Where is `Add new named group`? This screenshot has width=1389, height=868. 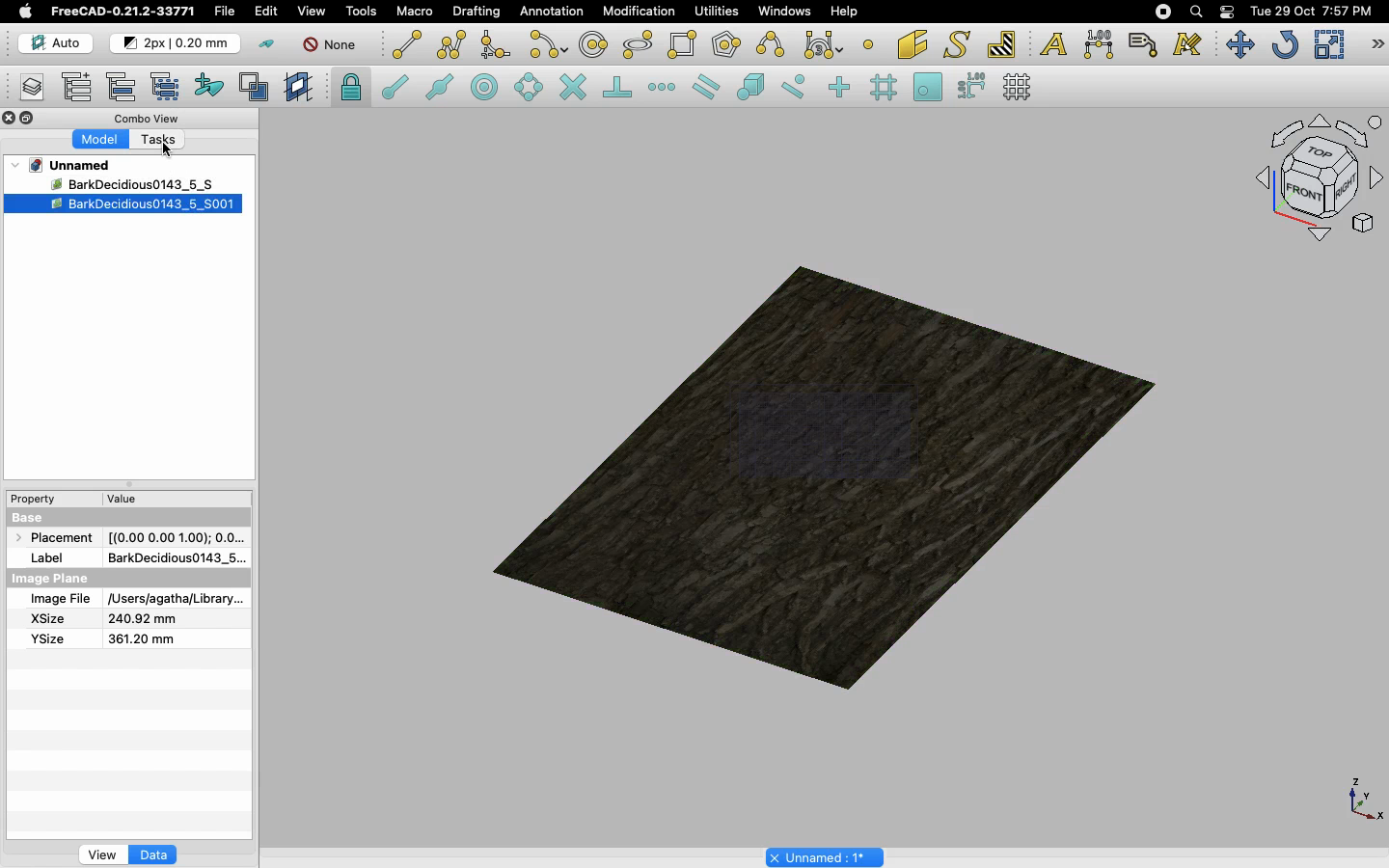
Add new named group is located at coordinates (81, 89).